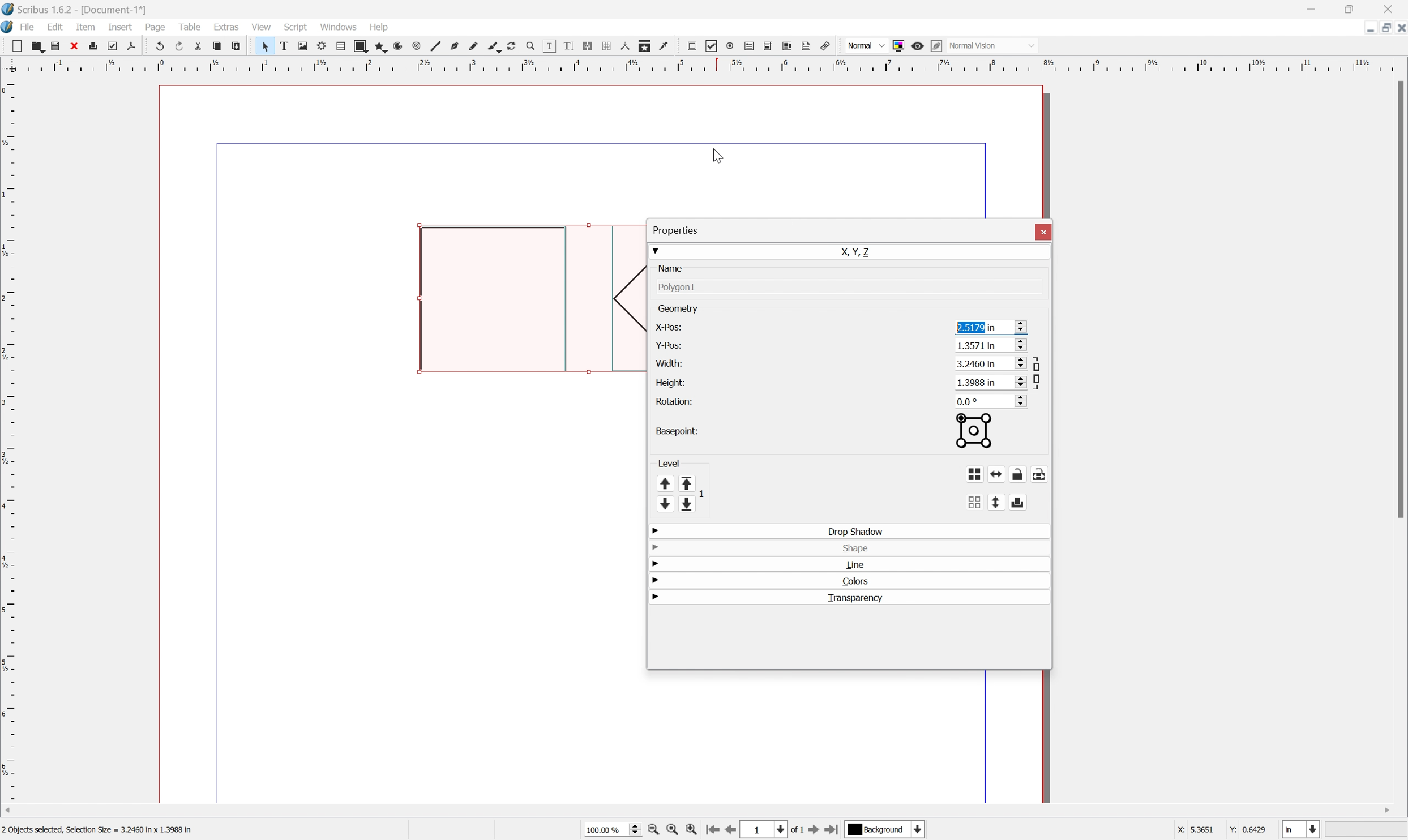 The height and width of the screenshot is (840, 1408). What do you see at coordinates (90, 8) in the screenshot?
I see `Scribus 1.6.2 - [Document-1*]` at bounding box center [90, 8].